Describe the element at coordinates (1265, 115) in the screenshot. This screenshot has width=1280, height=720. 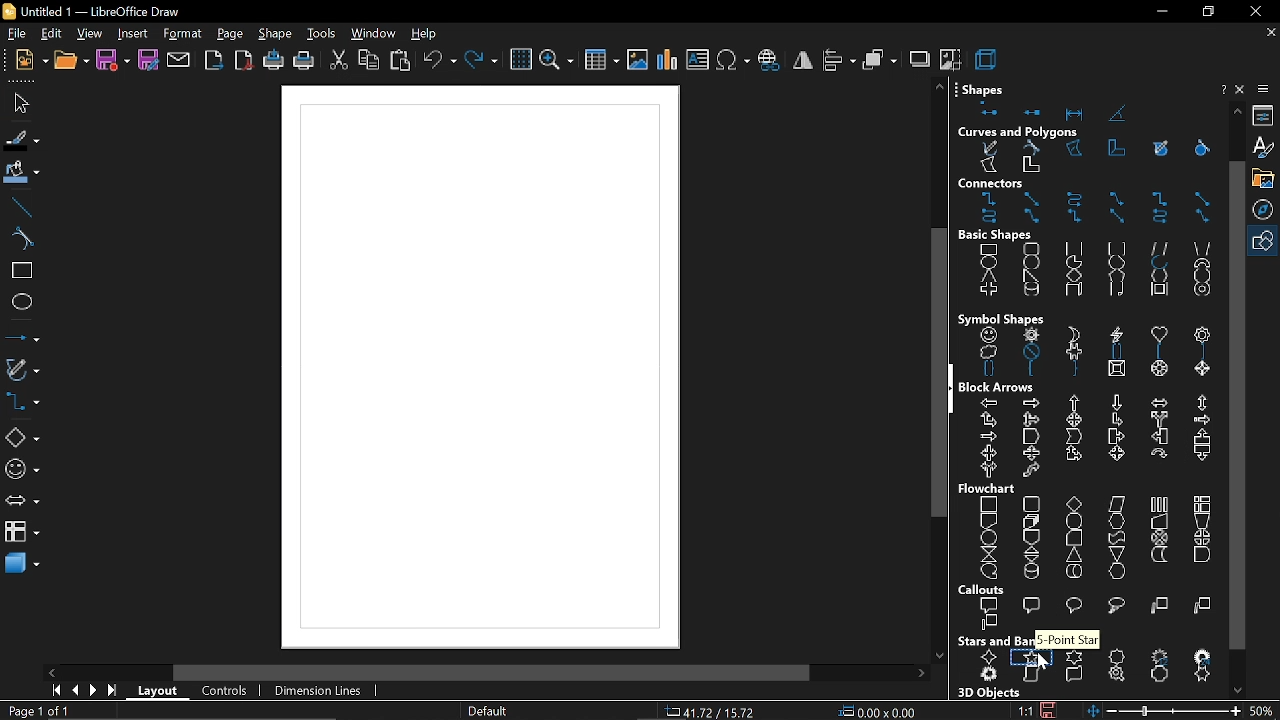
I see `properties` at that location.